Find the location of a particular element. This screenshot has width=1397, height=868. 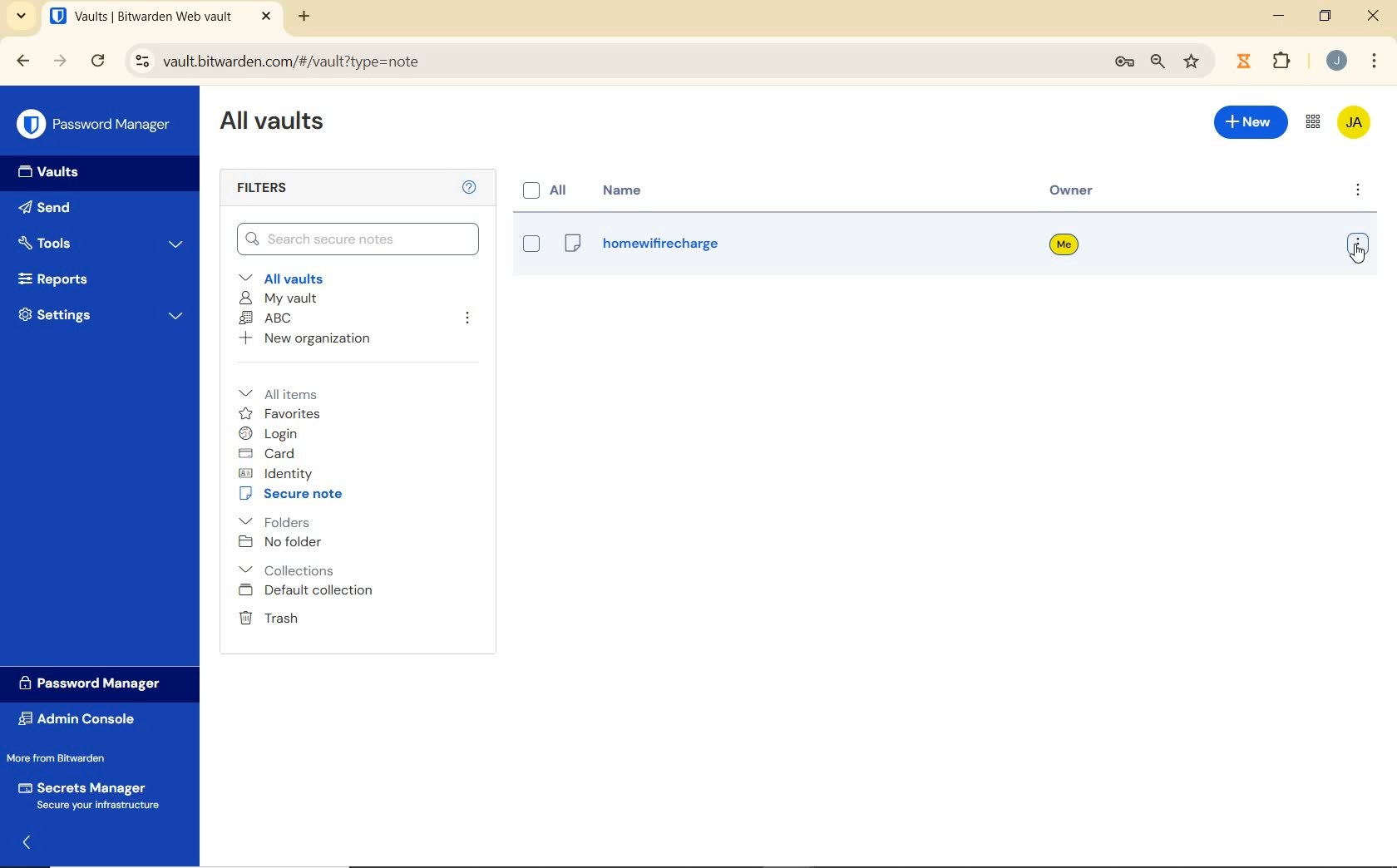

Login Name is located at coordinates (640, 248).